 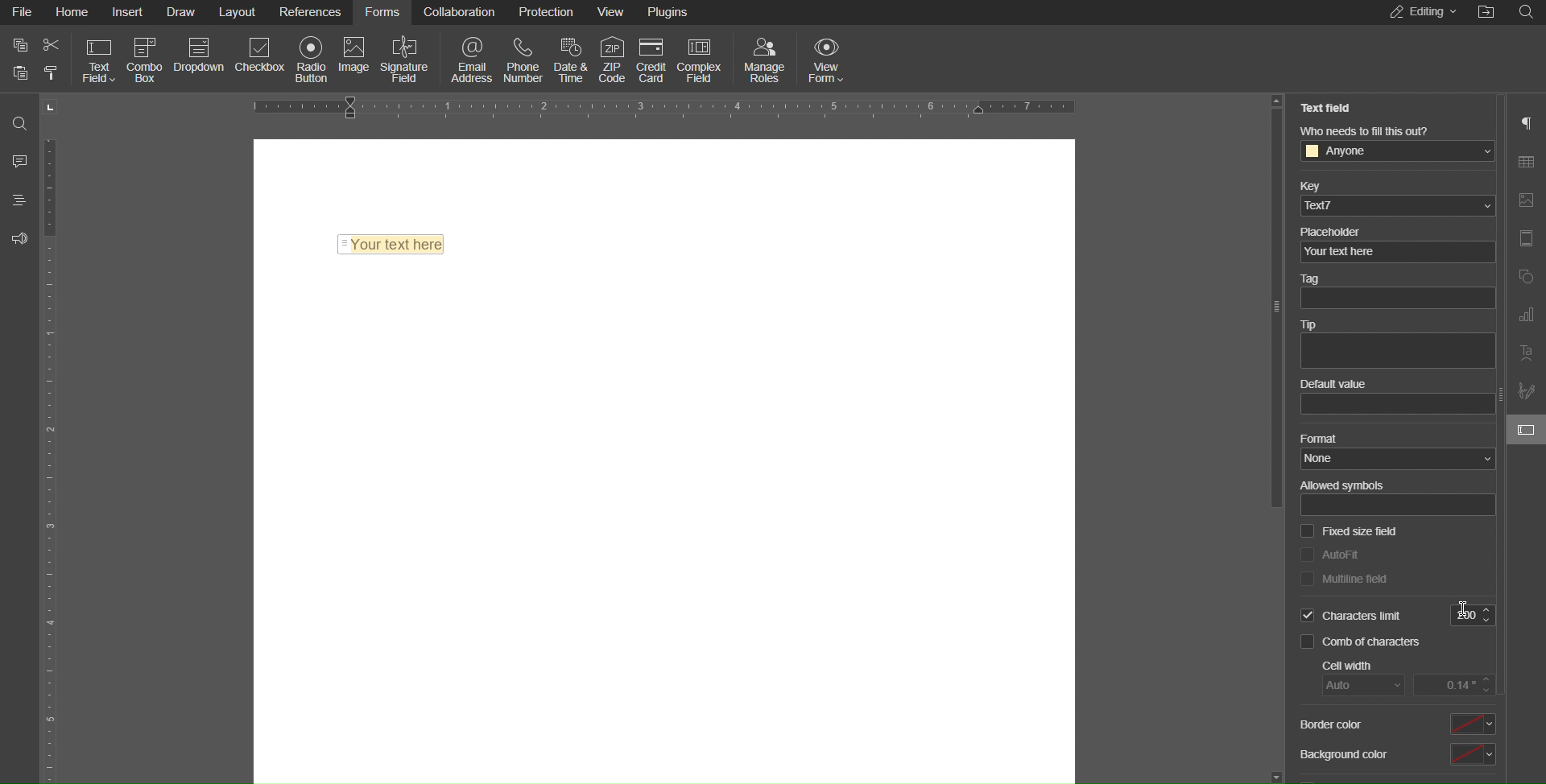 What do you see at coordinates (1395, 724) in the screenshot?
I see `Border color` at bounding box center [1395, 724].